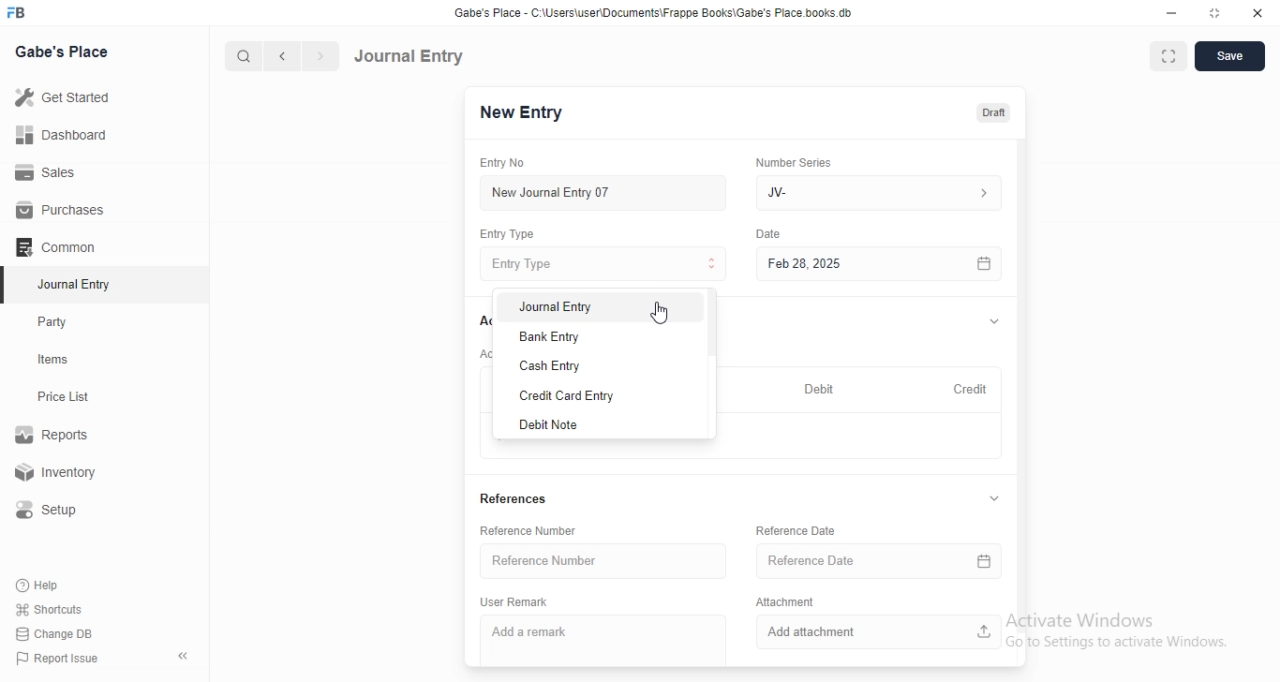 Image resolution: width=1280 pixels, height=682 pixels. Describe the element at coordinates (553, 367) in the screenshot. I see `Cash Entry` at that location.